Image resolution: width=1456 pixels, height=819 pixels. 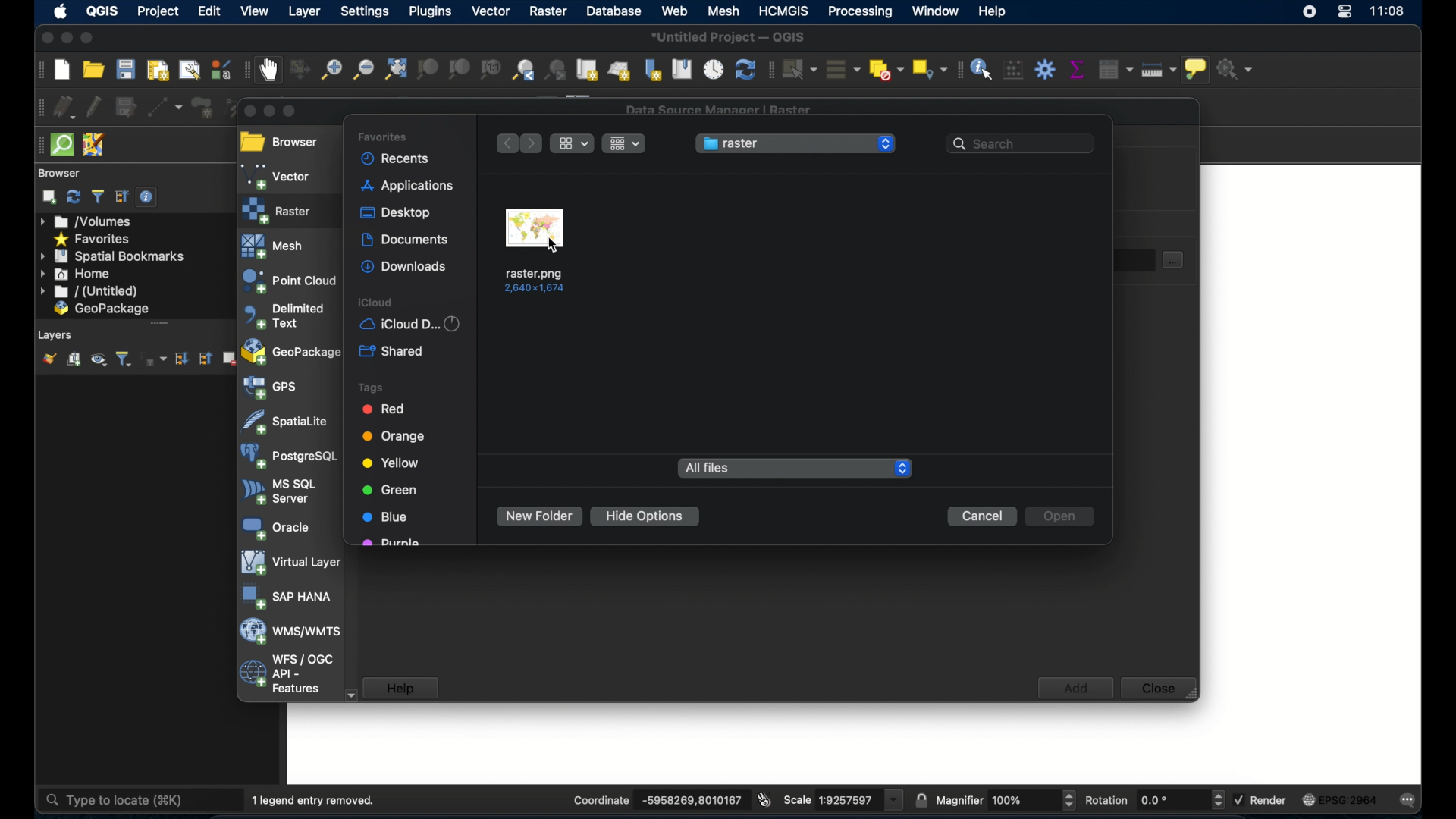 I want to click on database, so click(x=616, y=12).